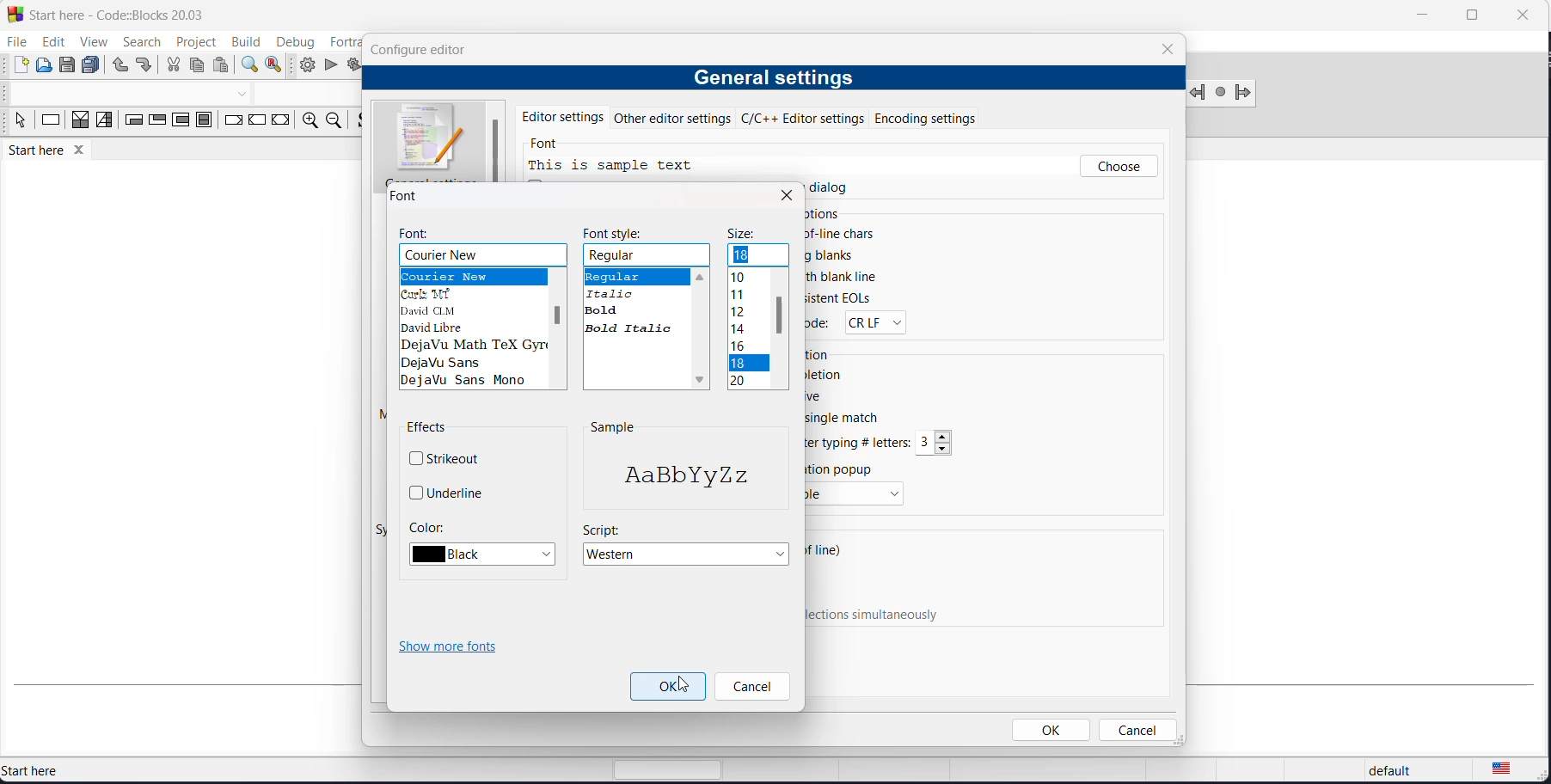  Describe the element at coordinates (20, 65) in the screenshot. I see `new file` at that location.